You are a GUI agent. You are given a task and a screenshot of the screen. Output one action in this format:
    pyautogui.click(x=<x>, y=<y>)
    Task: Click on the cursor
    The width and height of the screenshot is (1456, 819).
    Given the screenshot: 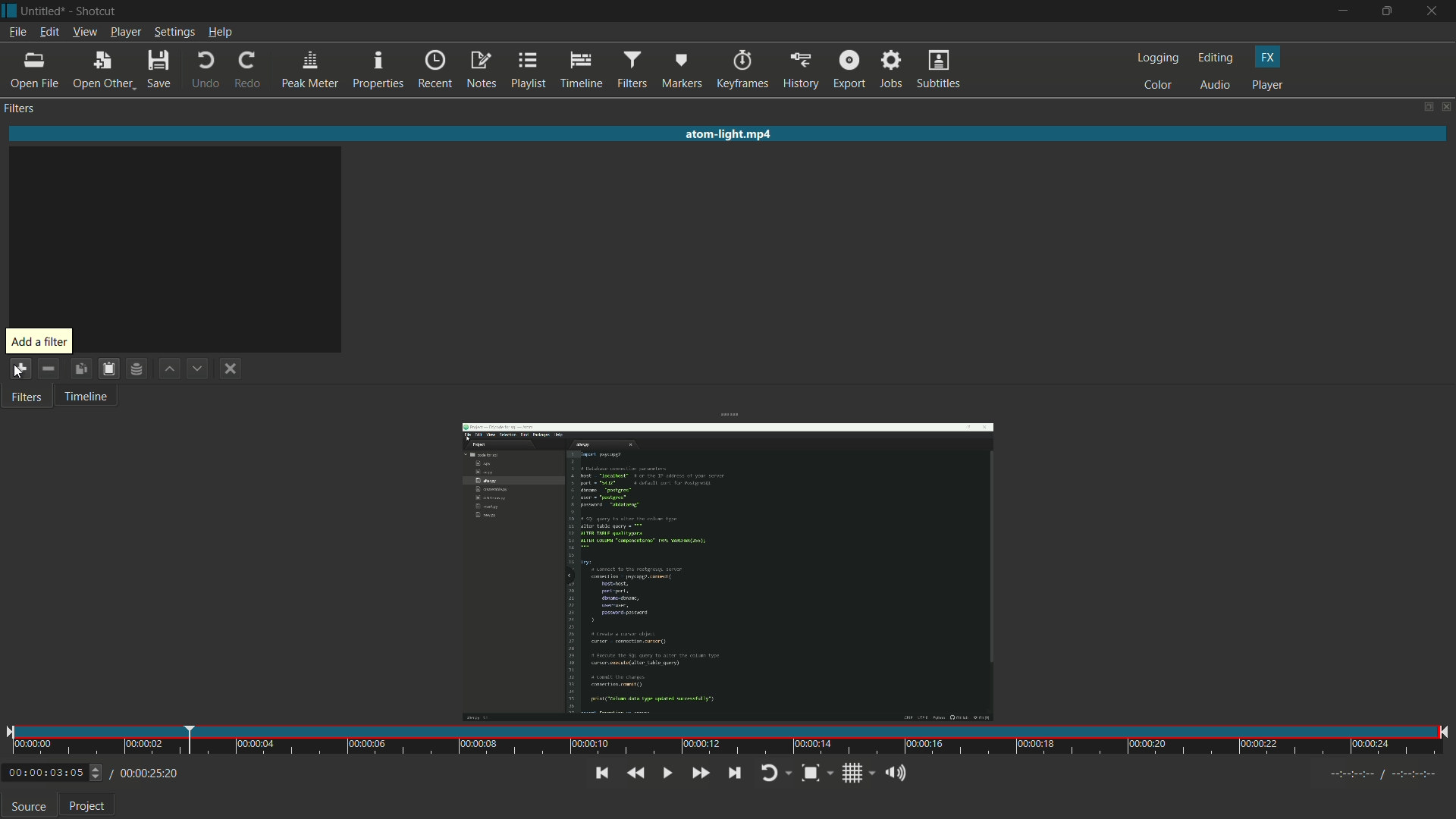 What is the action you would take?
    pyautogui.click(x=20, y=374)
    